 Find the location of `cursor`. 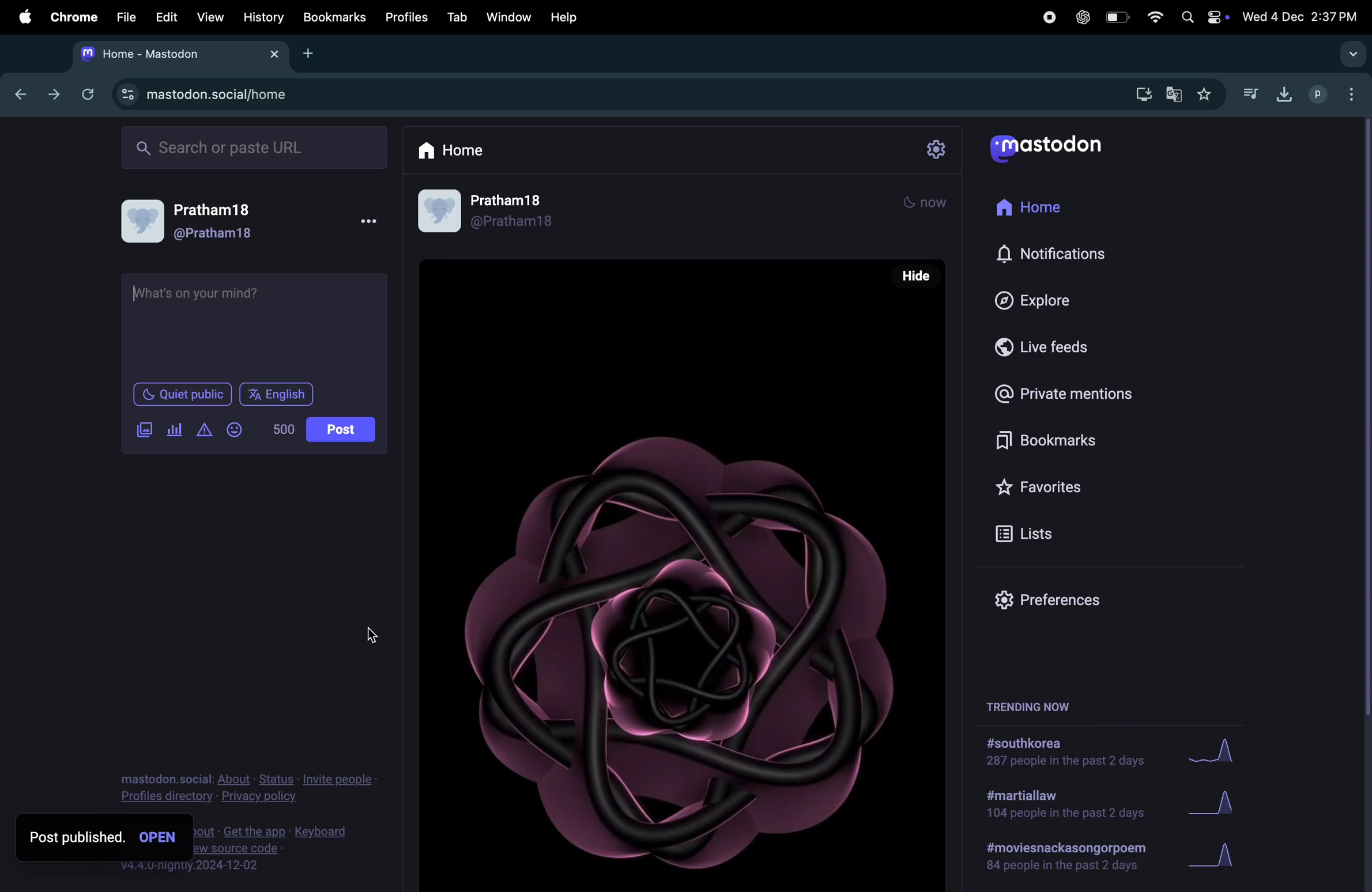

cursor is located at coordinates (371, 633).